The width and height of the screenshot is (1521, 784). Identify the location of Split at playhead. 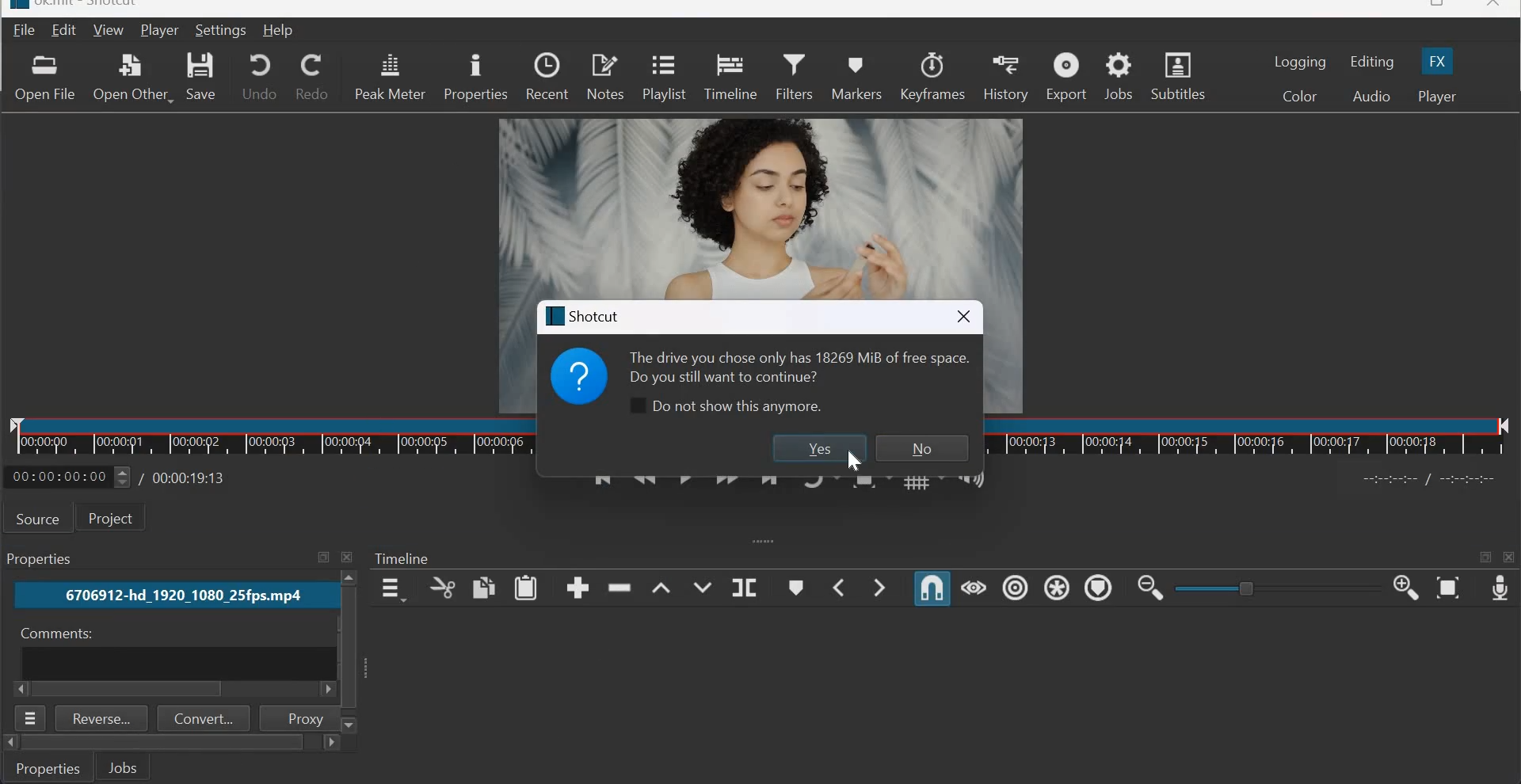
(744, 586).